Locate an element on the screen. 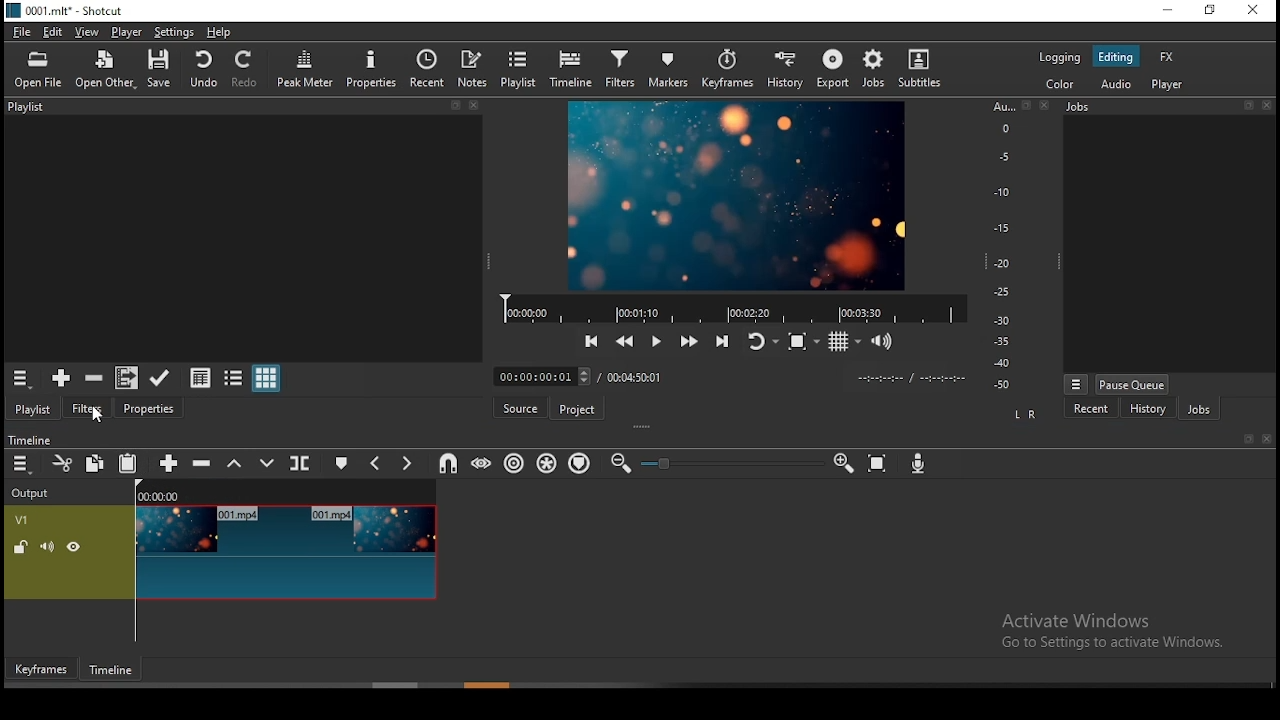  video track  is located at coordinates (220, 553).